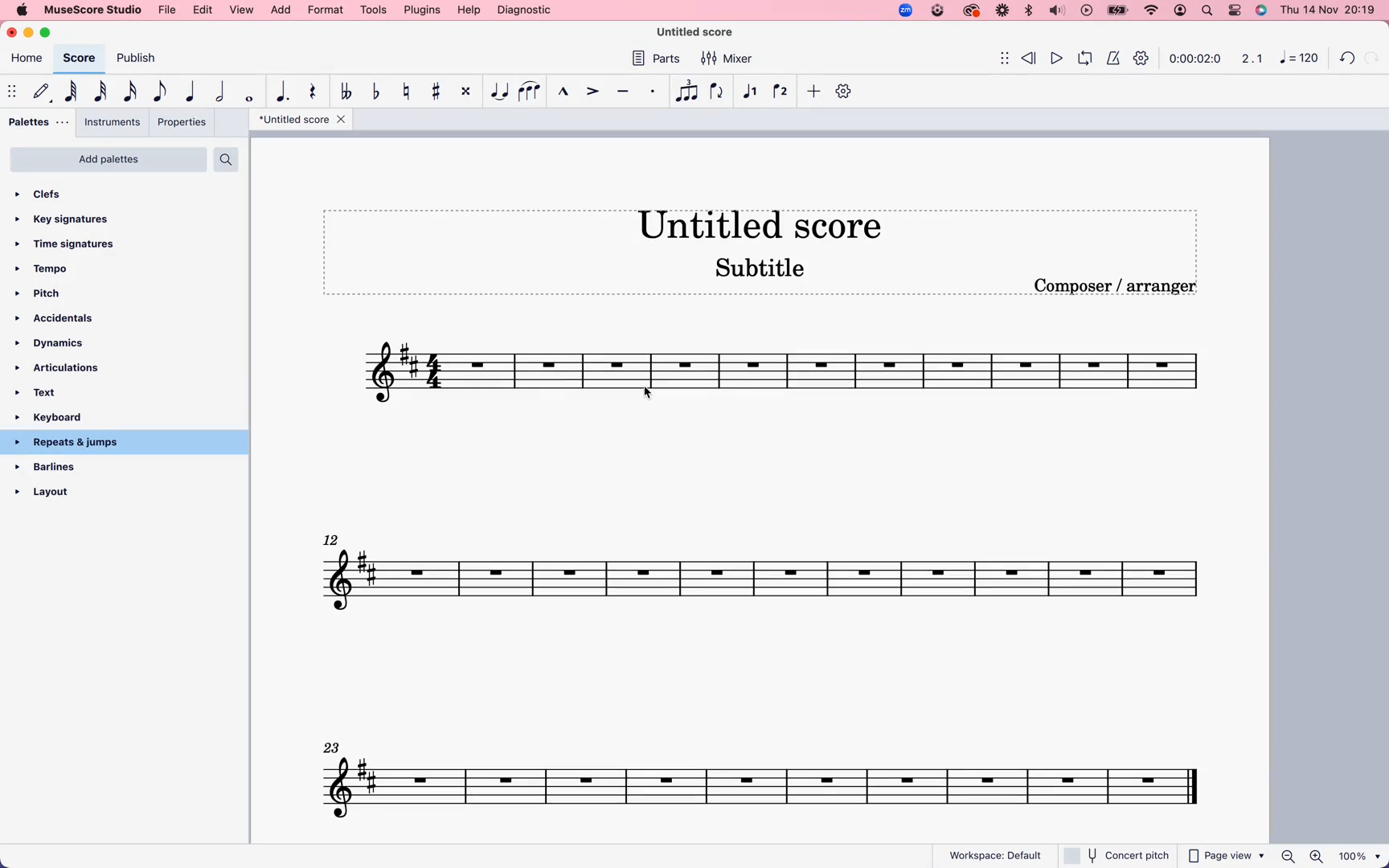 The height and width of the screenshot is (868, 1389). Describe the element at coordinates (21, 10) in the screenshot. I see `apple` at that location.